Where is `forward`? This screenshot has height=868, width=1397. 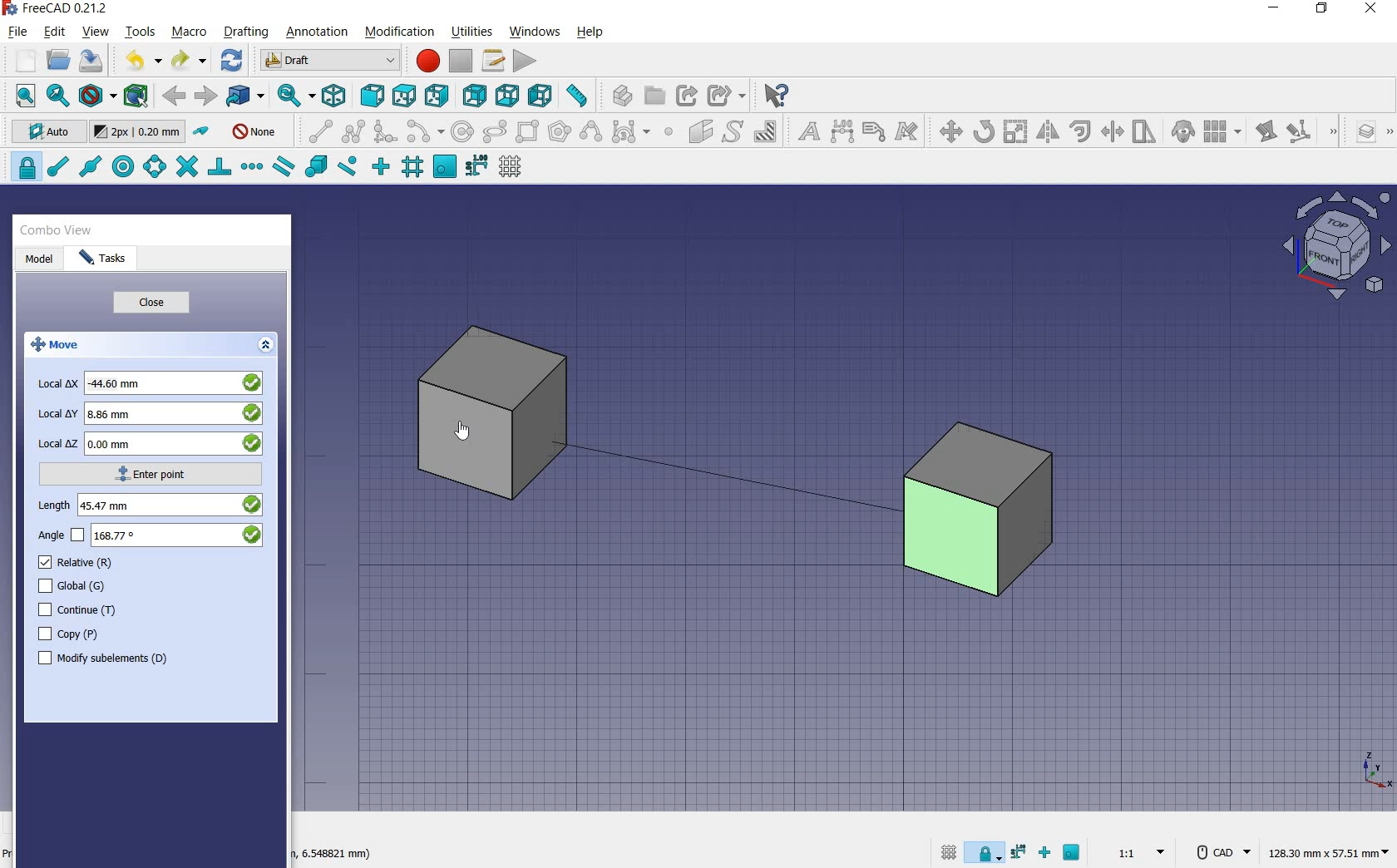
forward is located at coordinates (205, 96).